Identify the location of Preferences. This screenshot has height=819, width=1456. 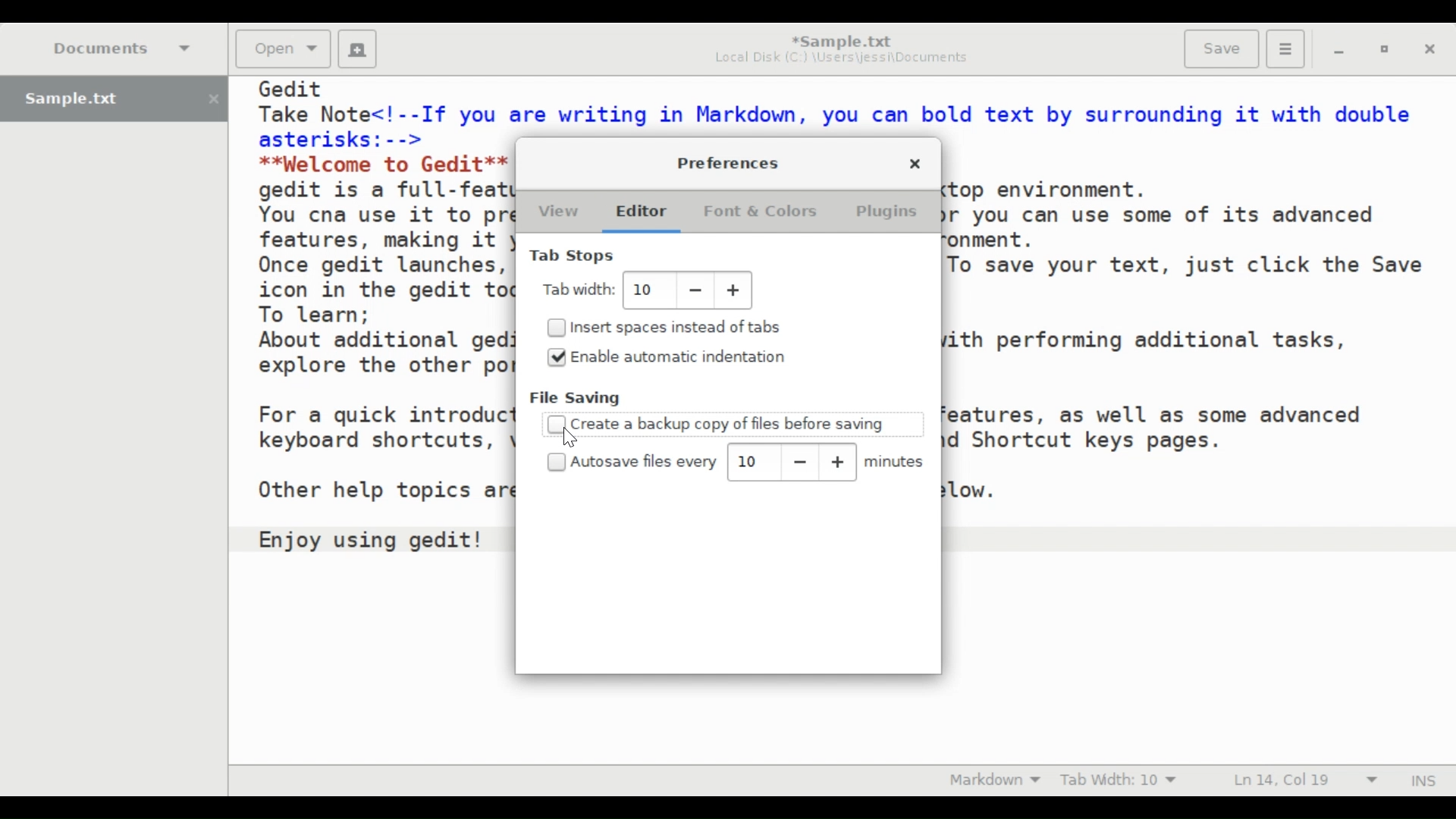
(730, 162).